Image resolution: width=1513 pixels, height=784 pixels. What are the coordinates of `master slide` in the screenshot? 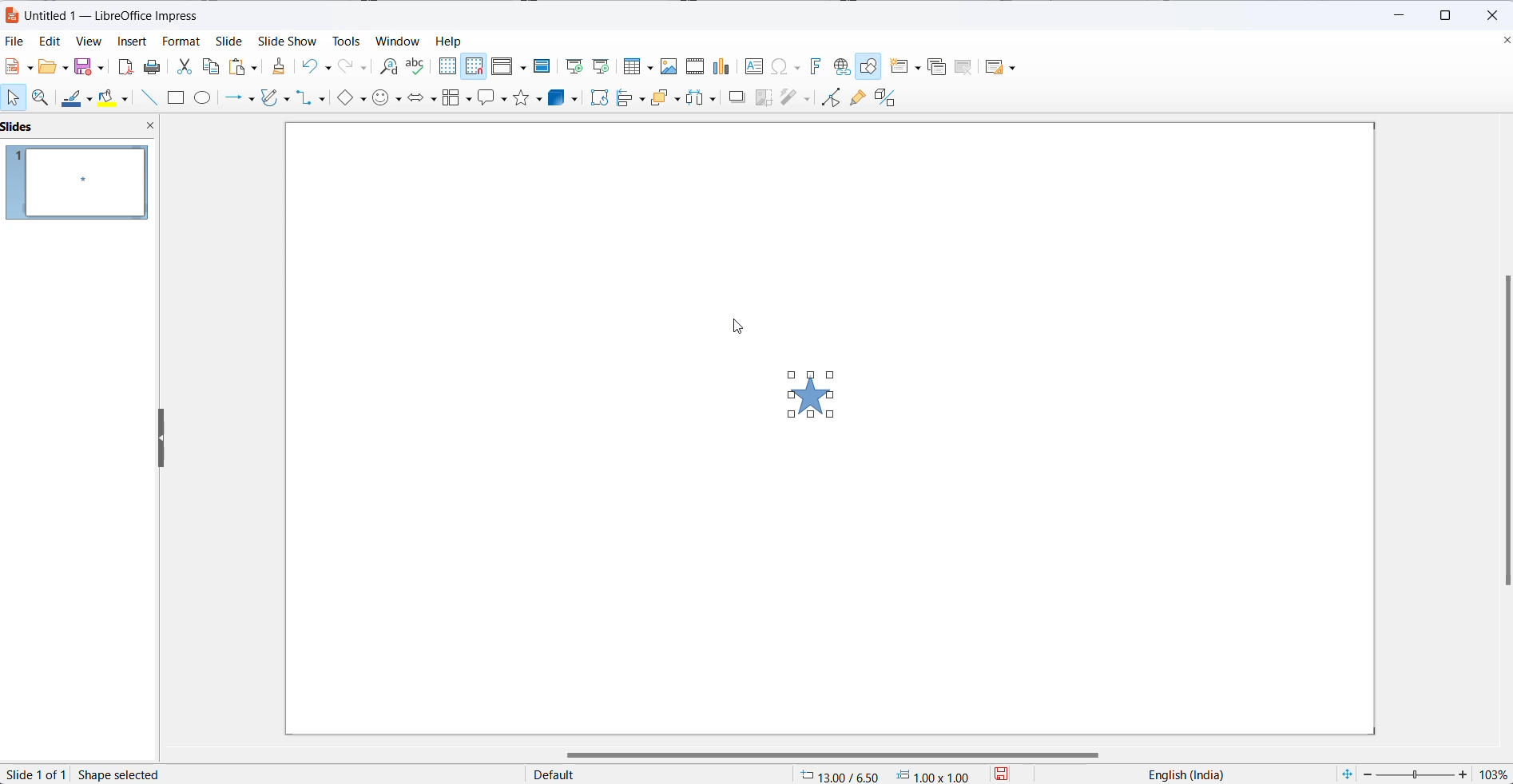 It's located at (542, 65).